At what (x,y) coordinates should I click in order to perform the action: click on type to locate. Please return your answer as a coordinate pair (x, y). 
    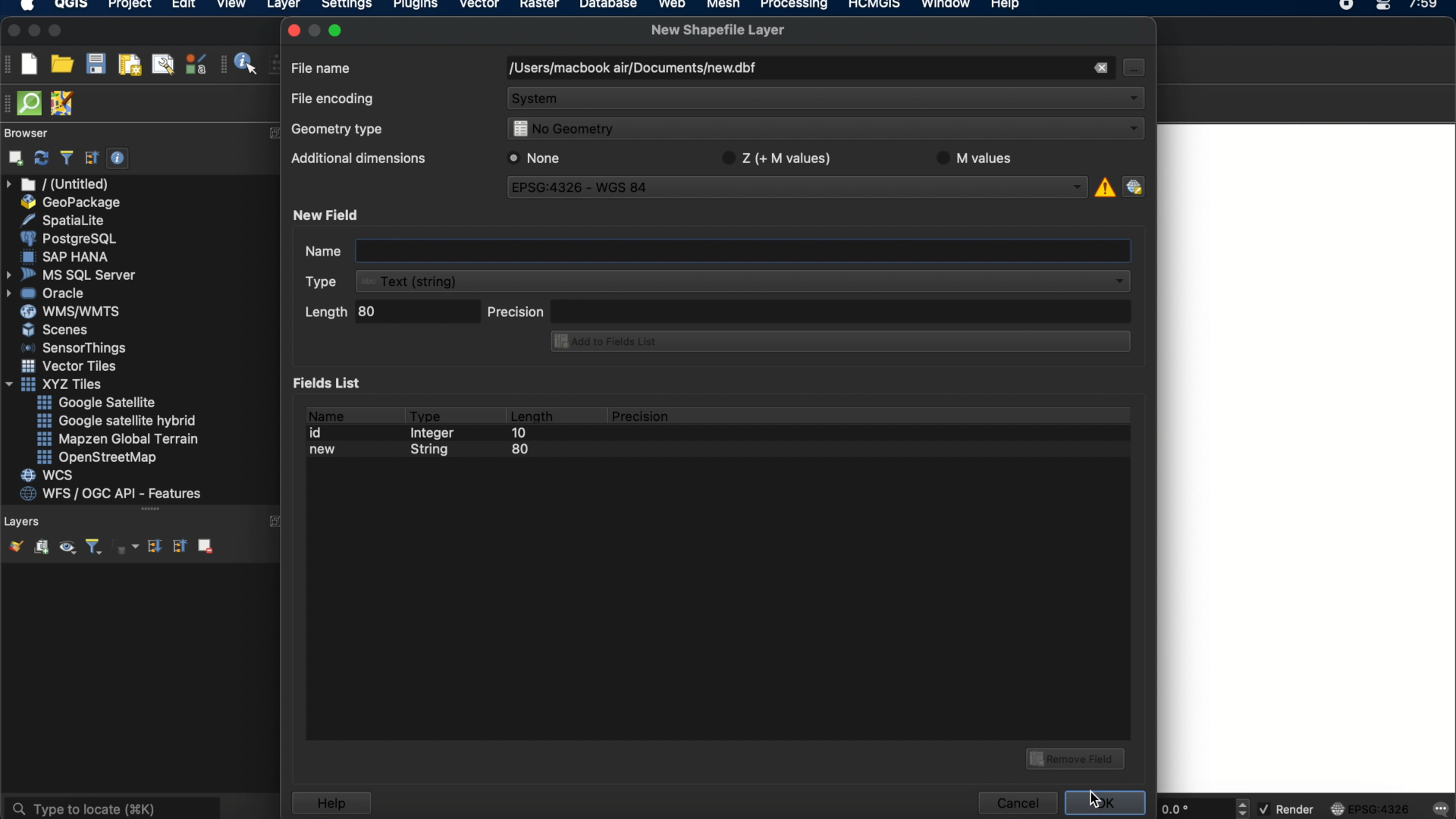
    Looking at the image, I should click on (111, 807).